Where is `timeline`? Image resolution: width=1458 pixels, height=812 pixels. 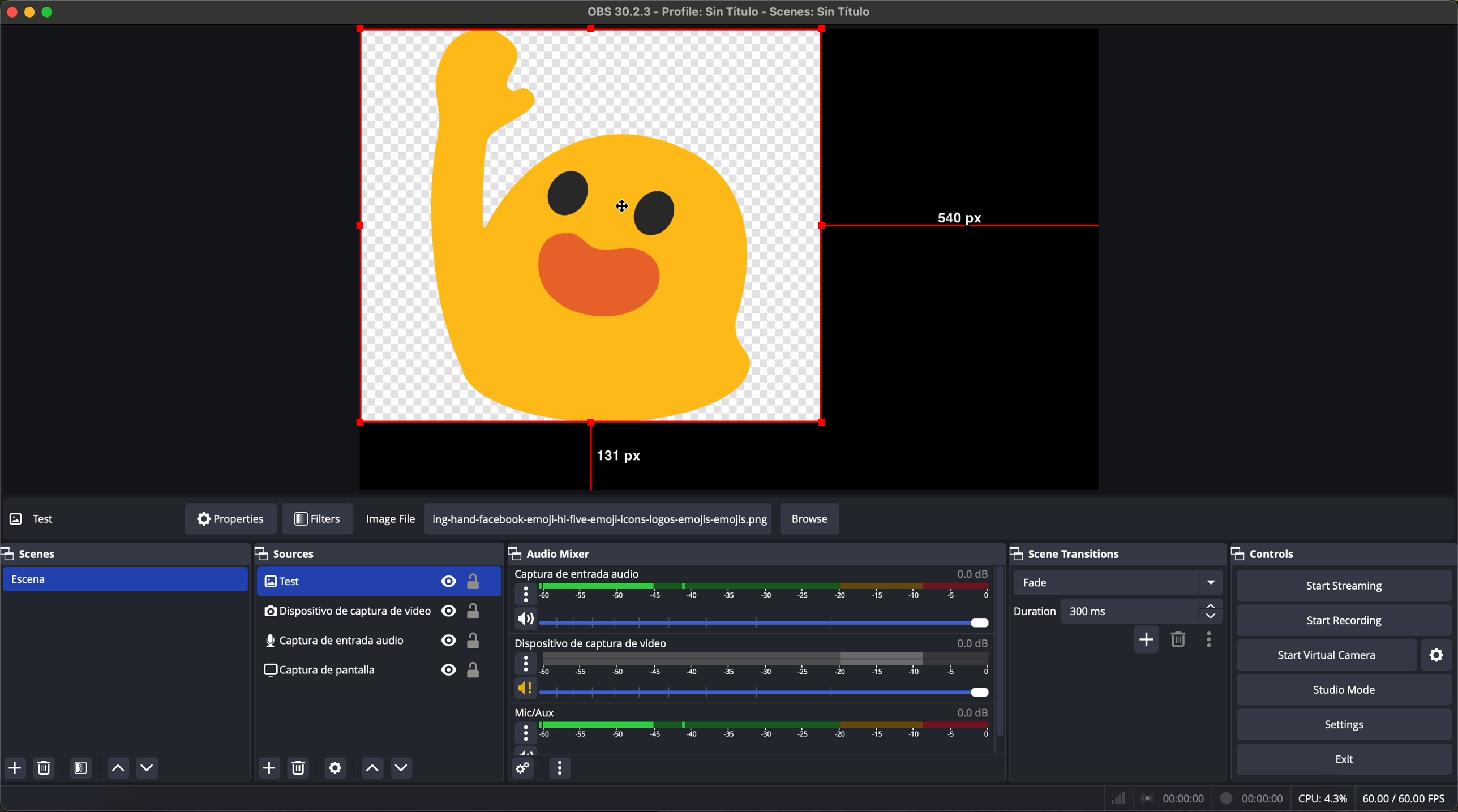
timeline is located at coordinates (766, 664).